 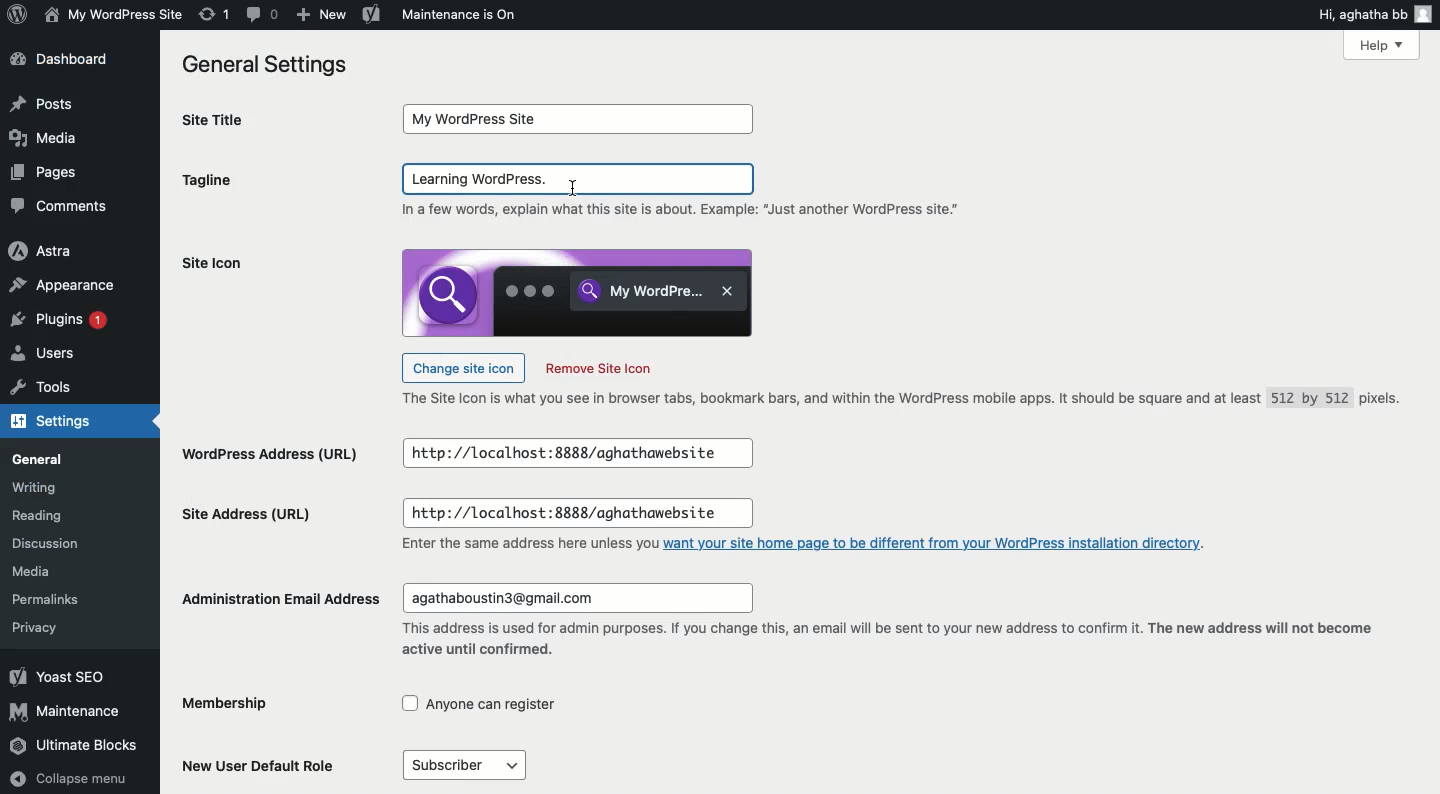 What do you see at coordinates (49, 172) in the screenshot?
I see `Pages` at bounding box center [49, 172].